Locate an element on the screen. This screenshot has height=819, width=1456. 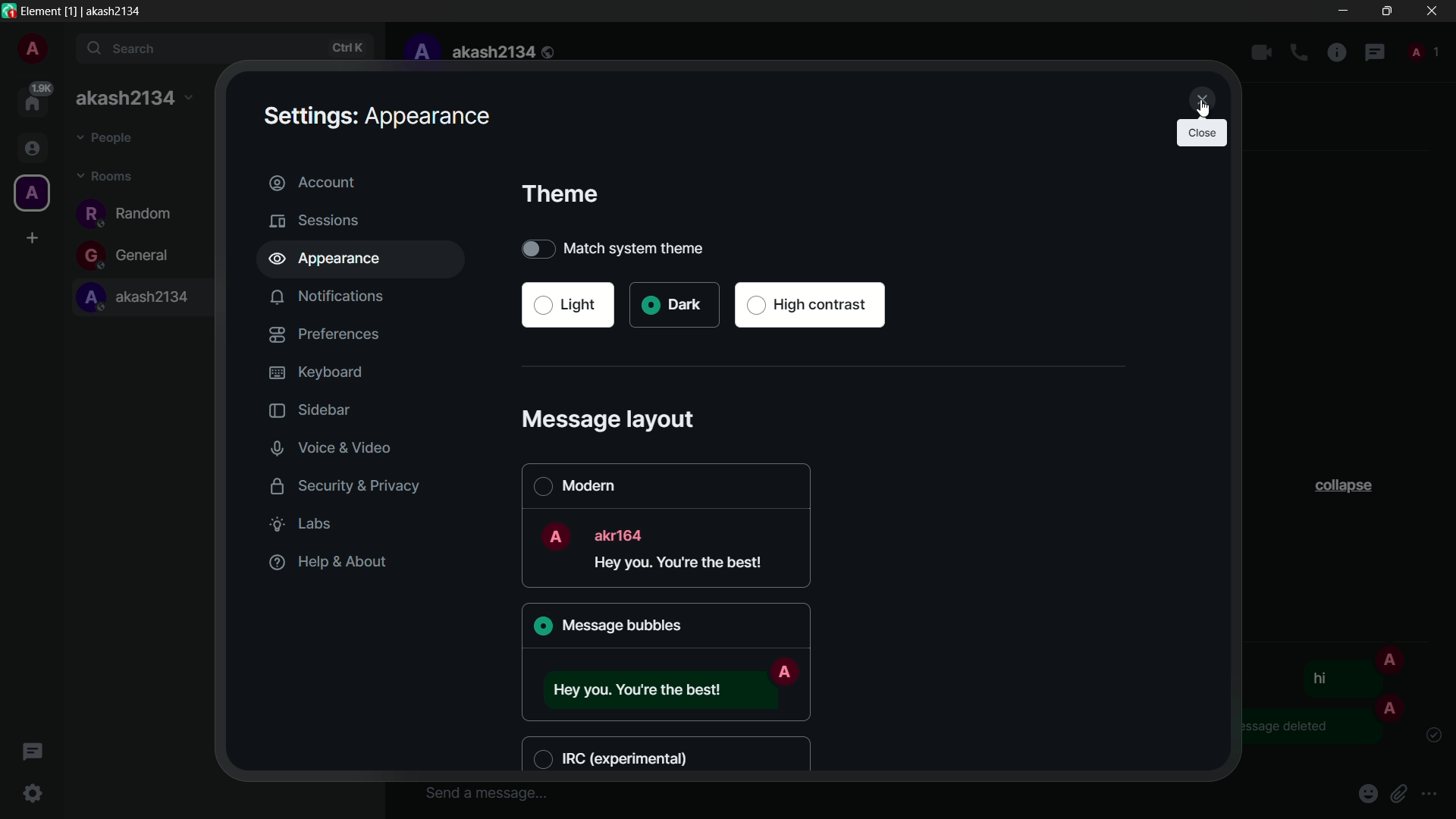
hi is located at coordinates (1319, 677).